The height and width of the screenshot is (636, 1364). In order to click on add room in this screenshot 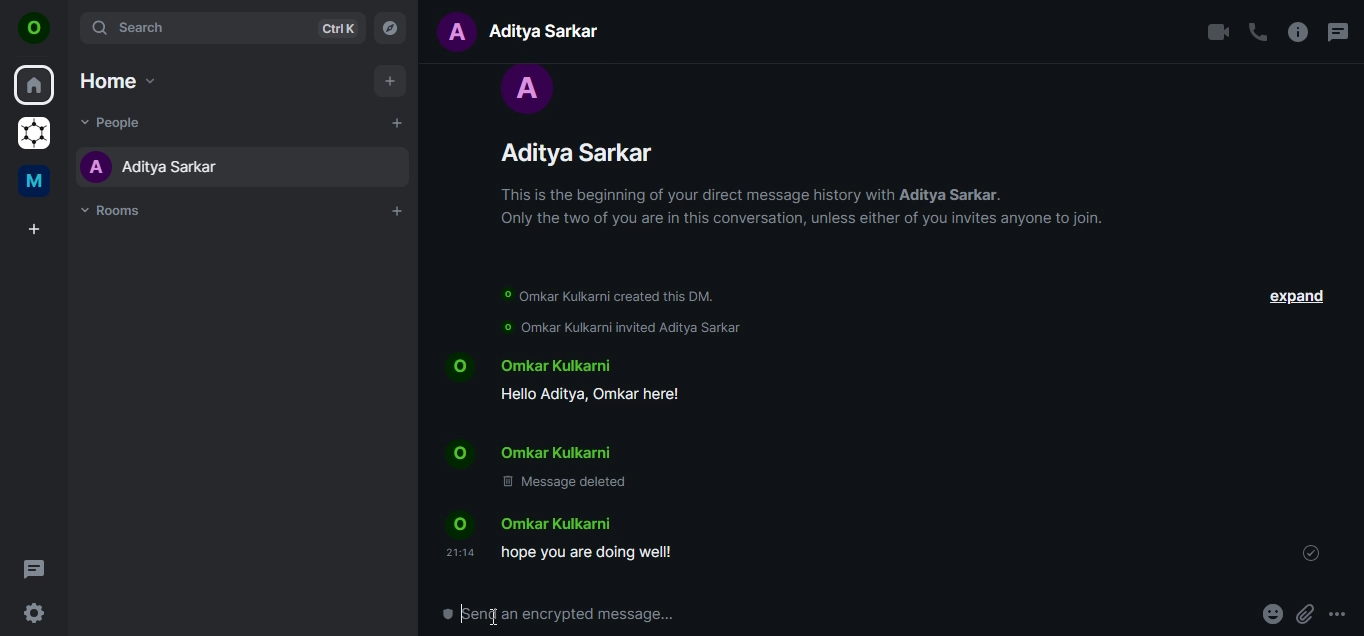, I will do `click(396, 211)`.